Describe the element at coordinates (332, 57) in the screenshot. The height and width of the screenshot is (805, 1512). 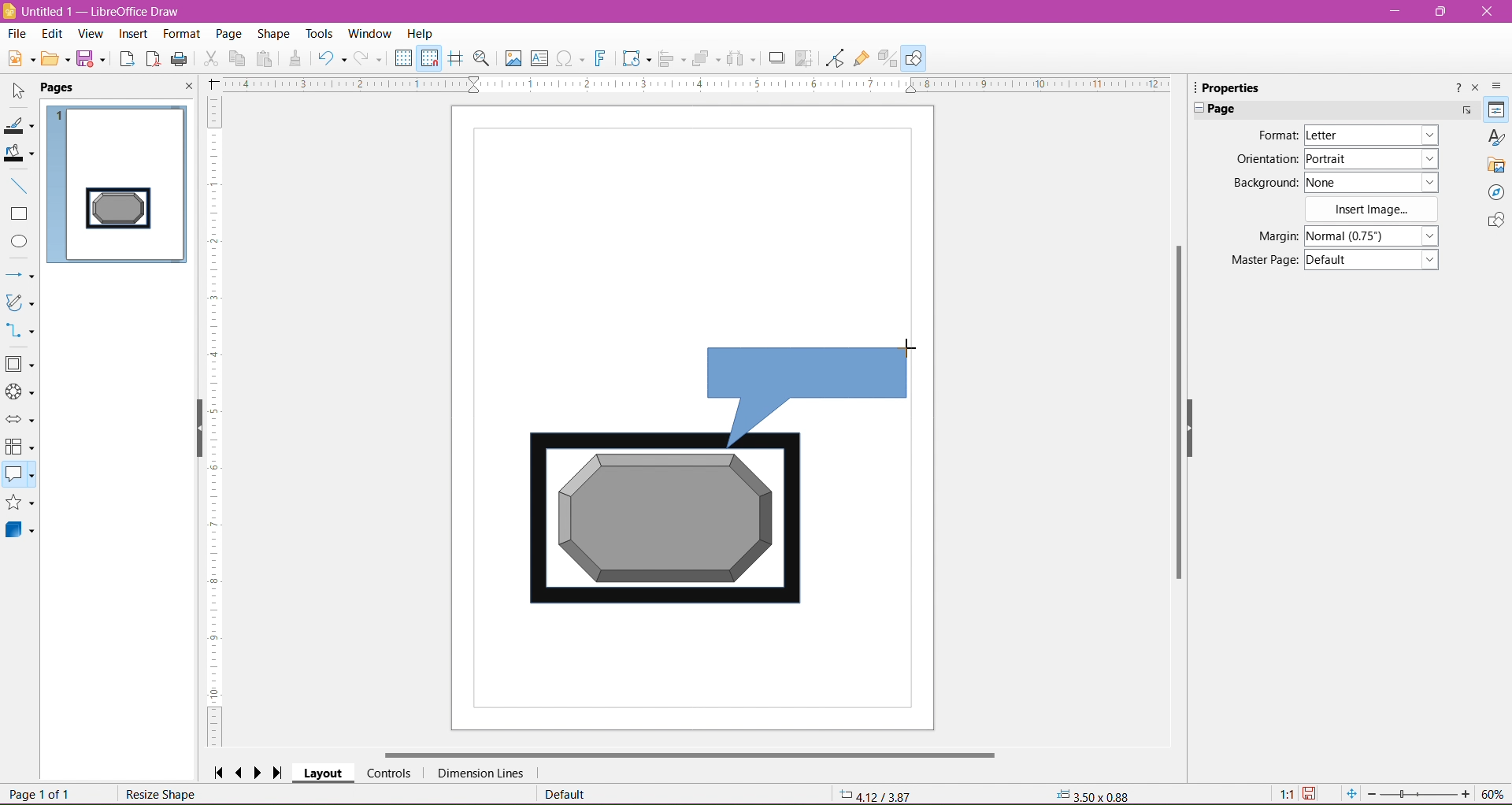
I see `Undo` at that location.